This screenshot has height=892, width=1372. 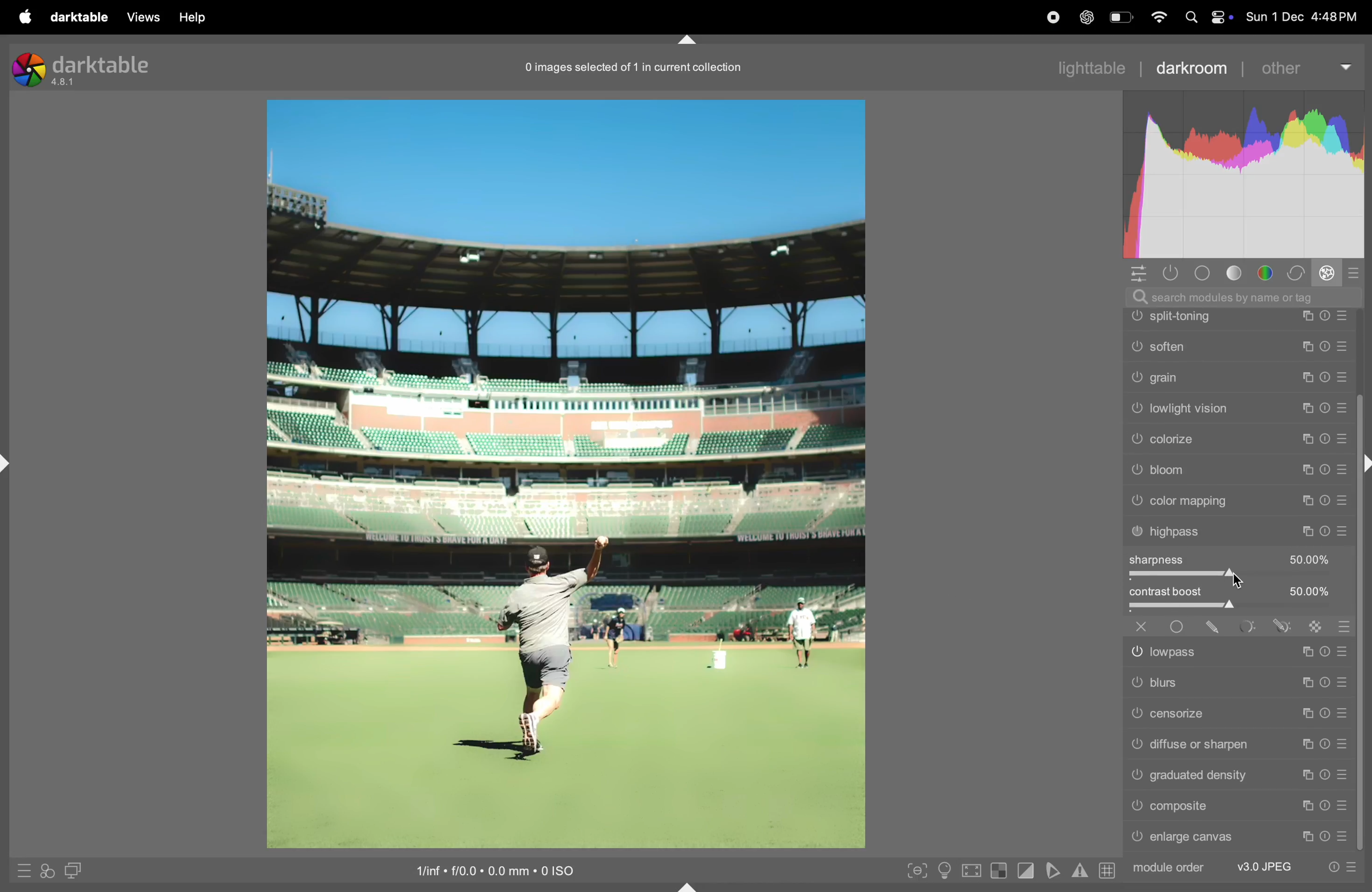 What do you see at coordinates (1301, 69) in the screenshot?
I see `other` at bounding box center [1301, 69].